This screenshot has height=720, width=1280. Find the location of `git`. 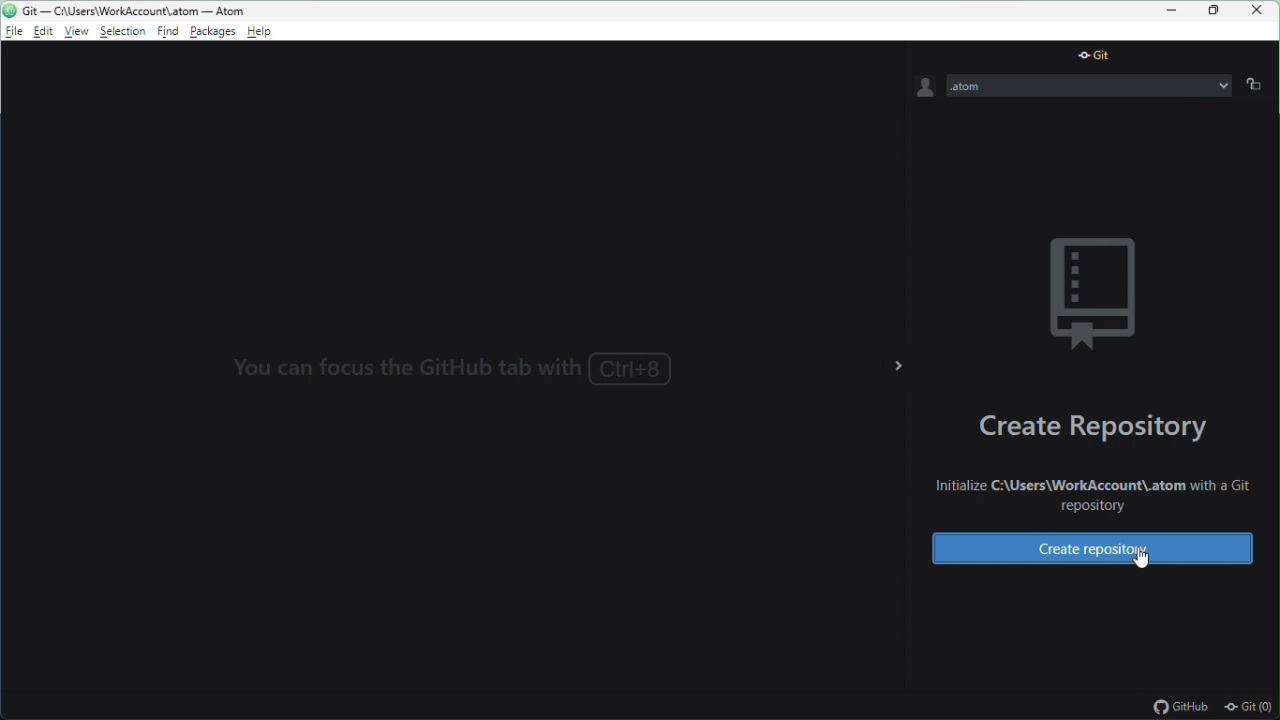

git is located at coordinates (1102, 53).